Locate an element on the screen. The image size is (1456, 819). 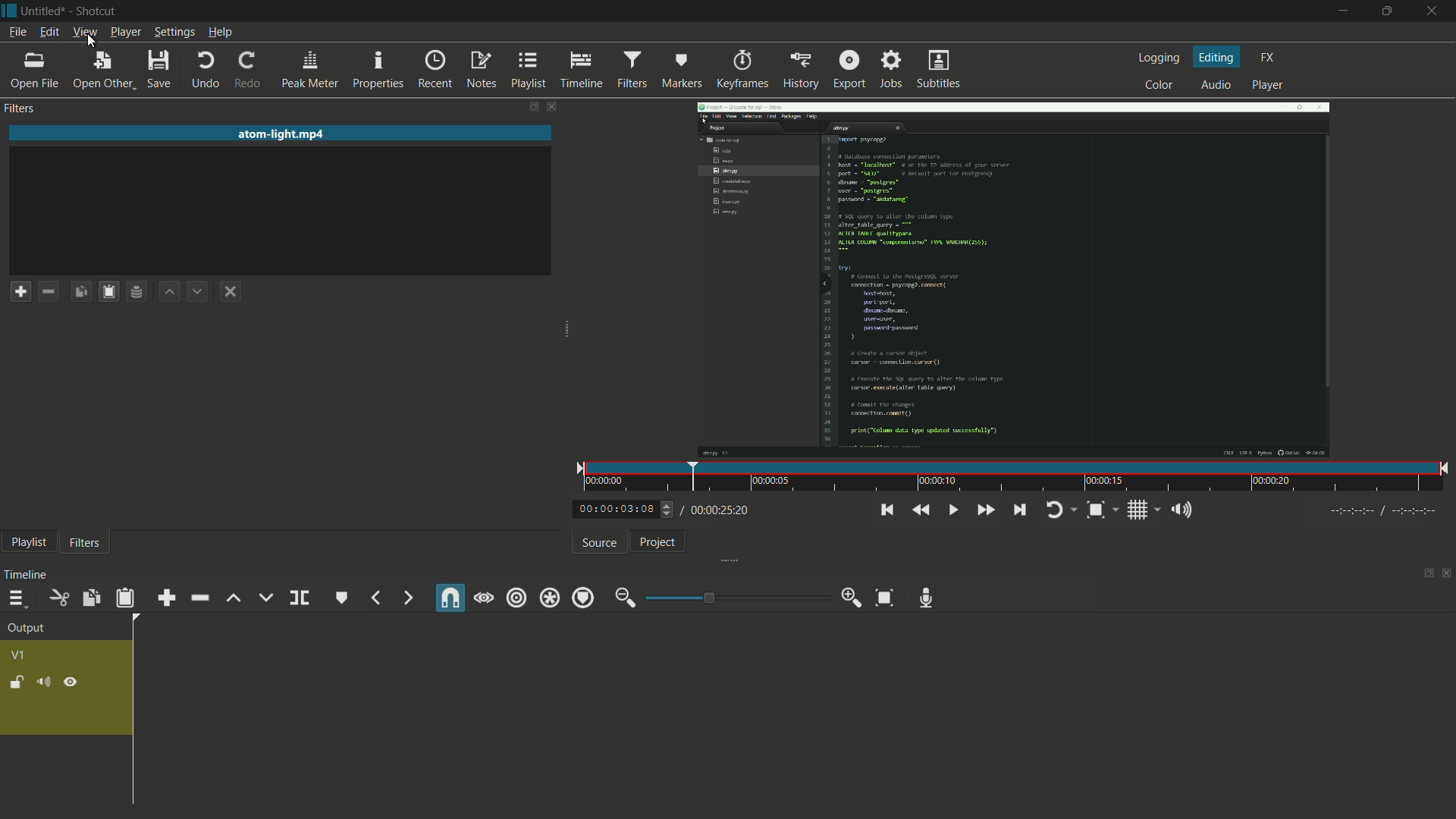
ripple markers is located at coordinates (581, 598).